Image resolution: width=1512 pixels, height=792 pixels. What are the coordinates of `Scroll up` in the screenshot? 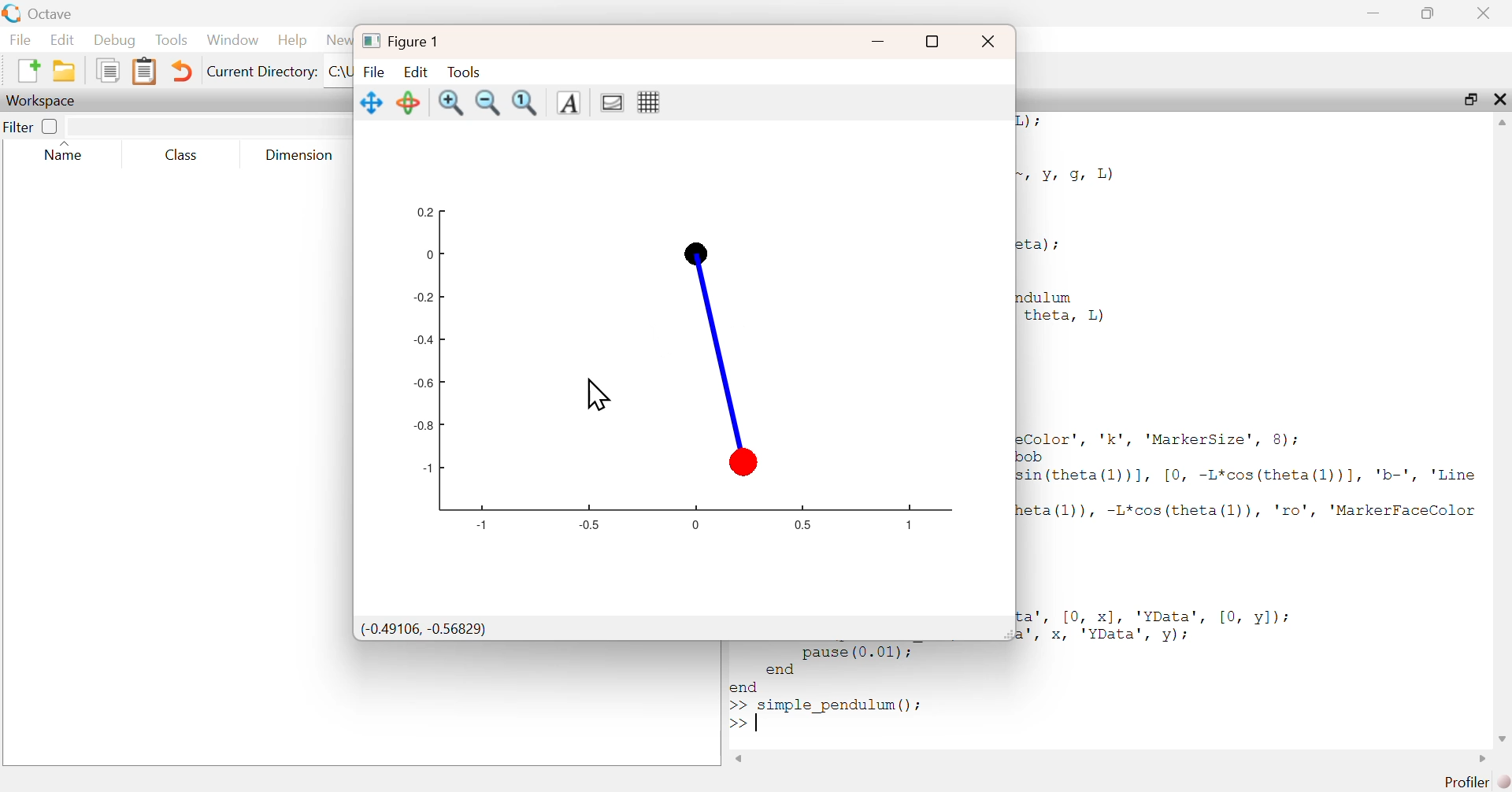 It's located at (1500, 123).